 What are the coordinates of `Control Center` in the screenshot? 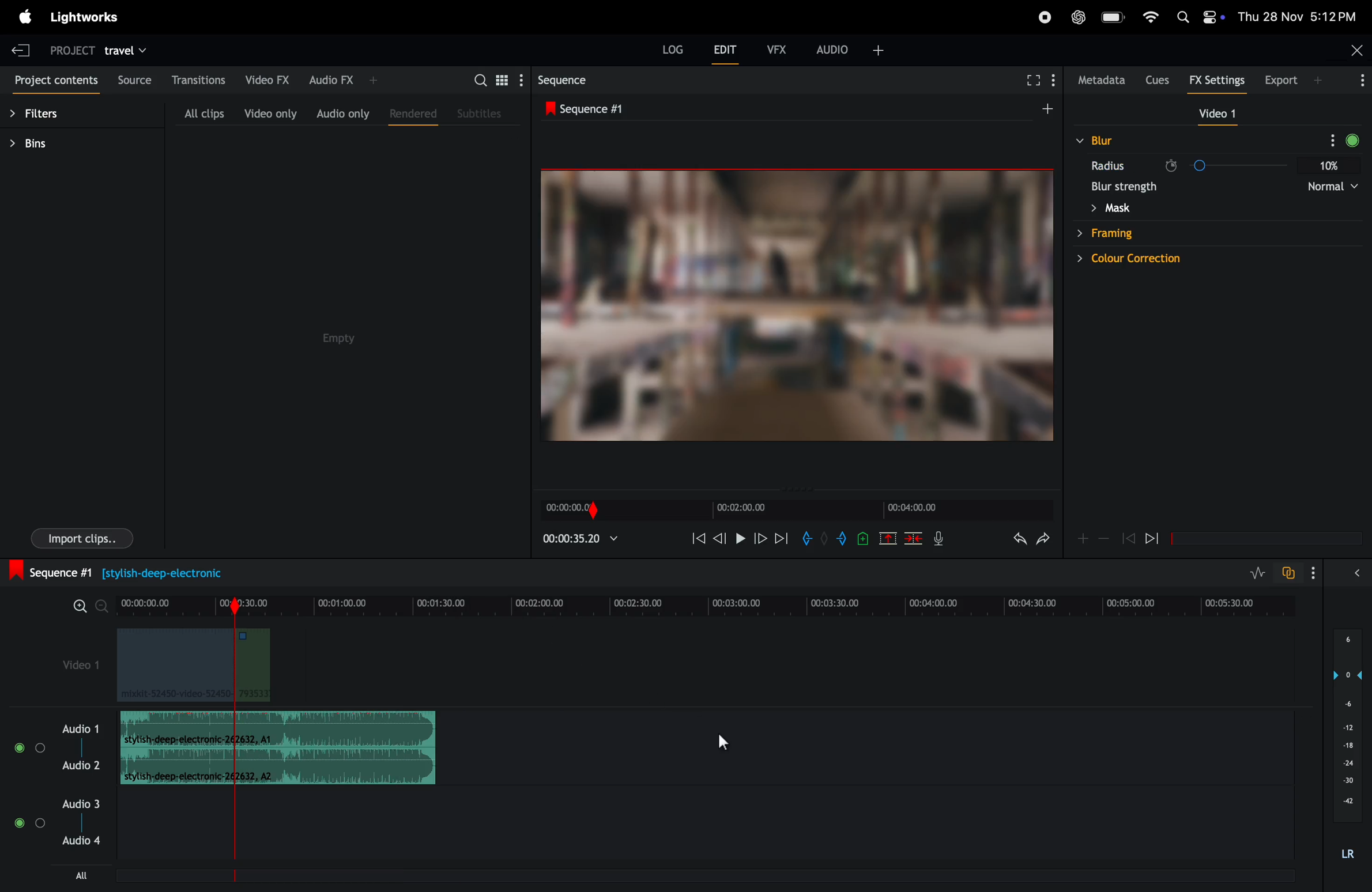 It's located at (1213, 17).